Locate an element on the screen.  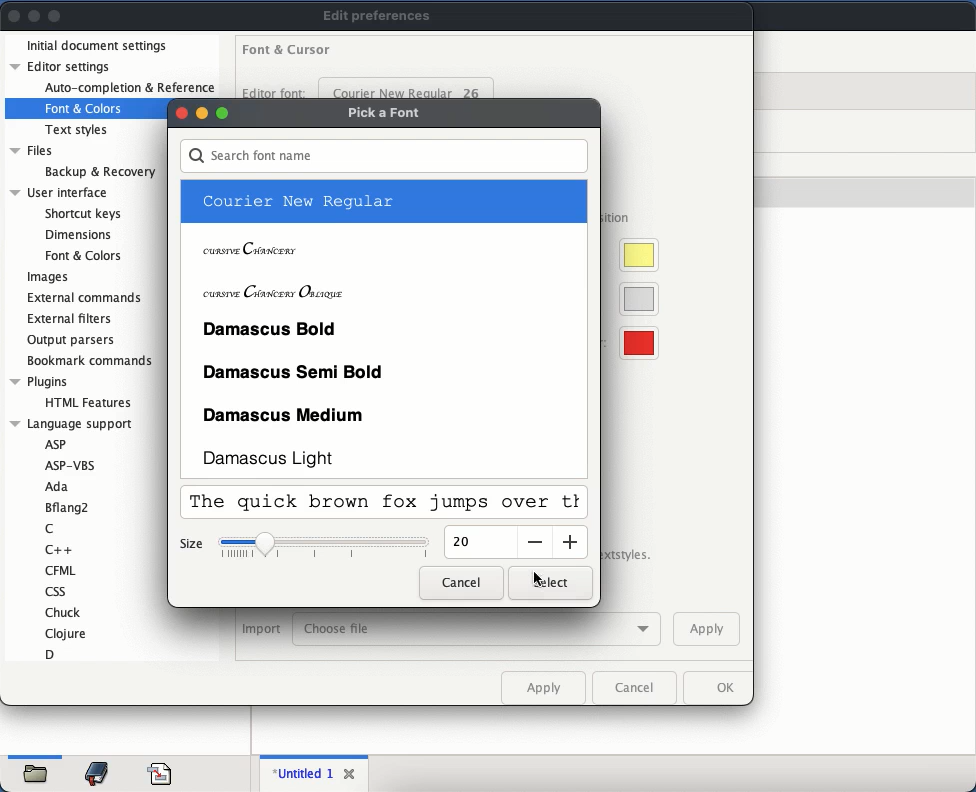
code is located at coordinates (160, 771).